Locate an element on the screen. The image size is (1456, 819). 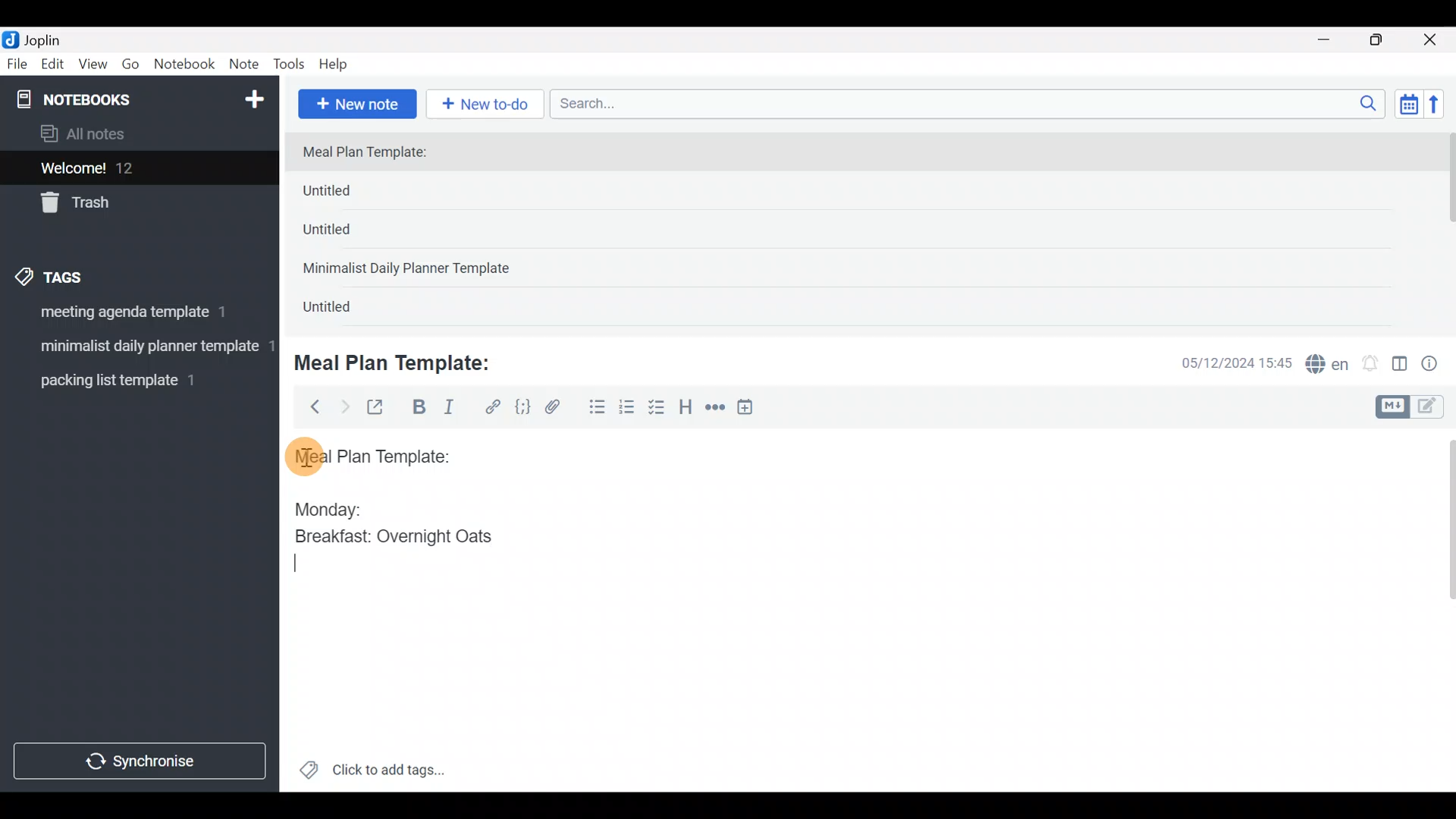
Horizontal rule is located at coordinates (715, 409).